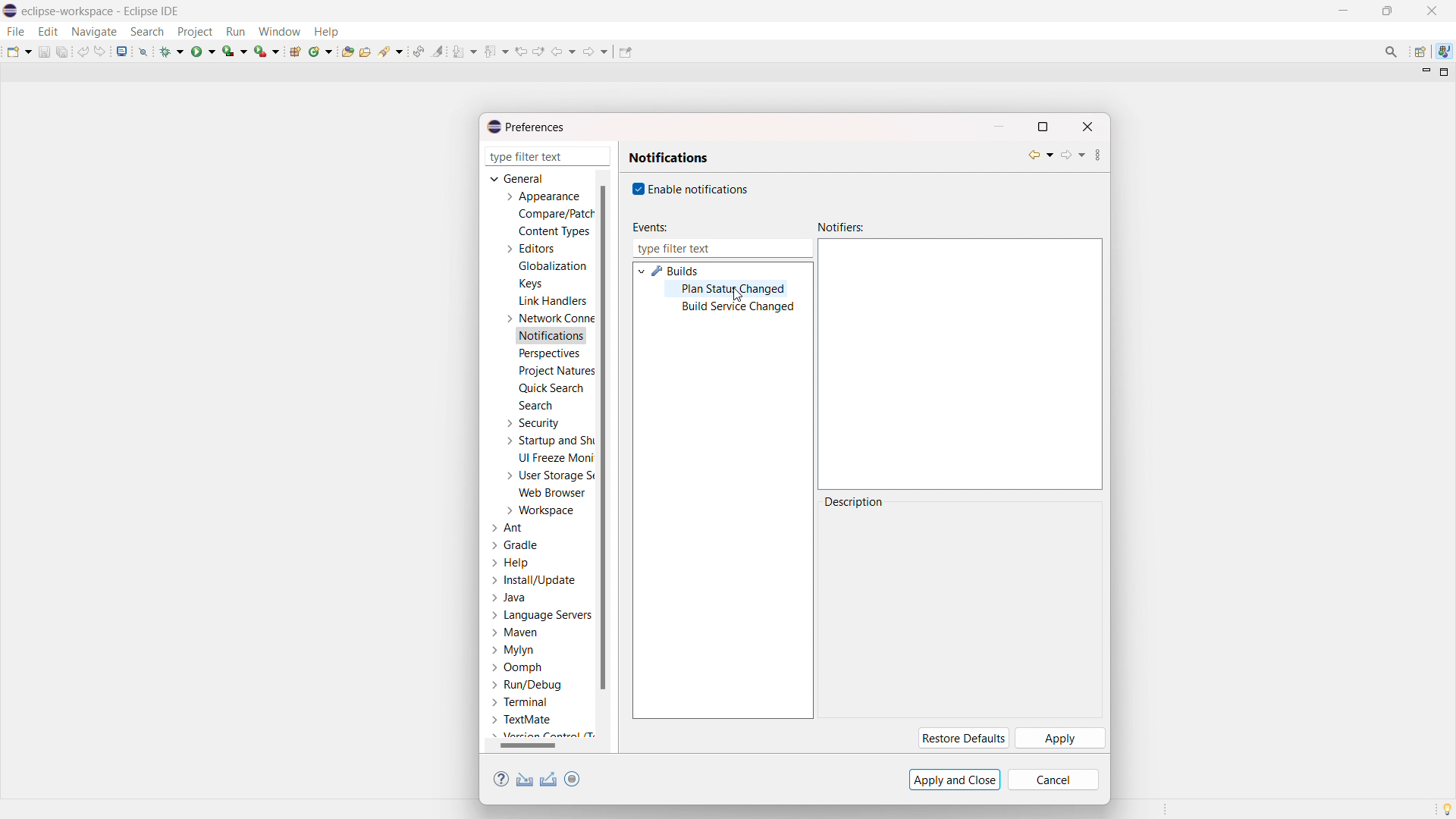 This screenshot has width=1456, height=819. Describe the element at coordinates (555, 370) in the screenshot. I see `project natures` at that location.